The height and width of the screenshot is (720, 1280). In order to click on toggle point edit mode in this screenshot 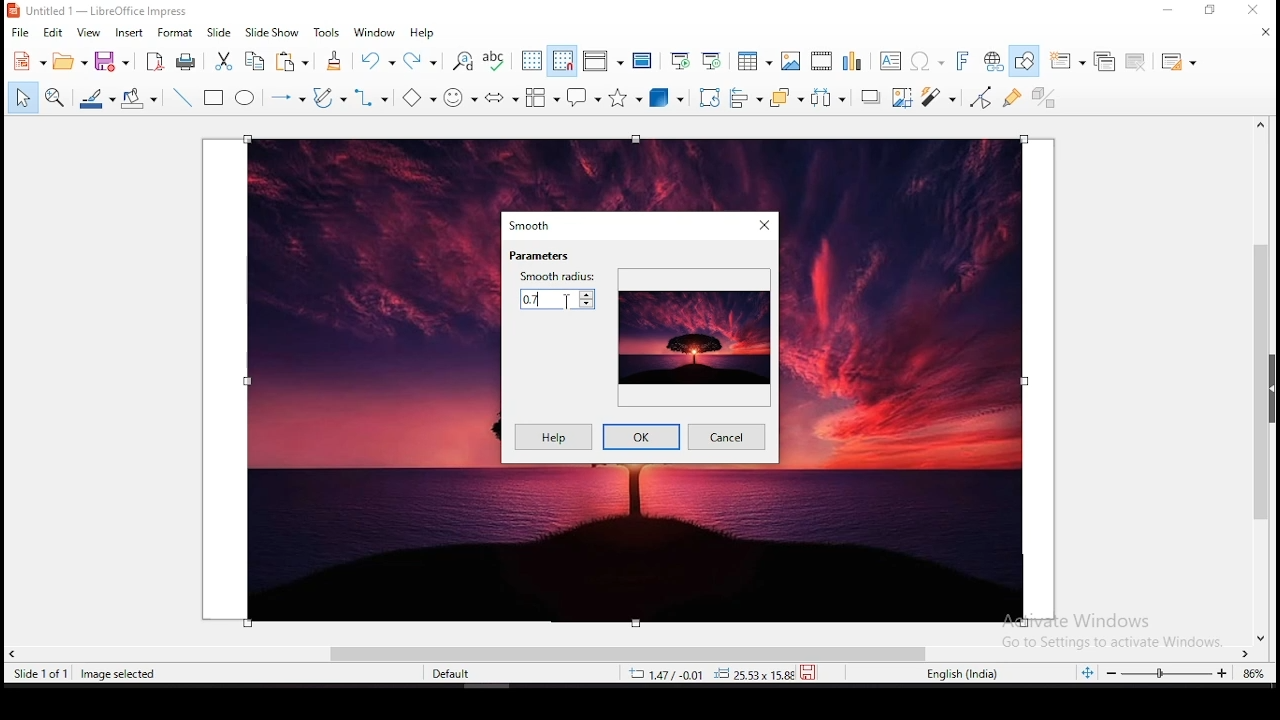, I will do `click(980, 97)`.